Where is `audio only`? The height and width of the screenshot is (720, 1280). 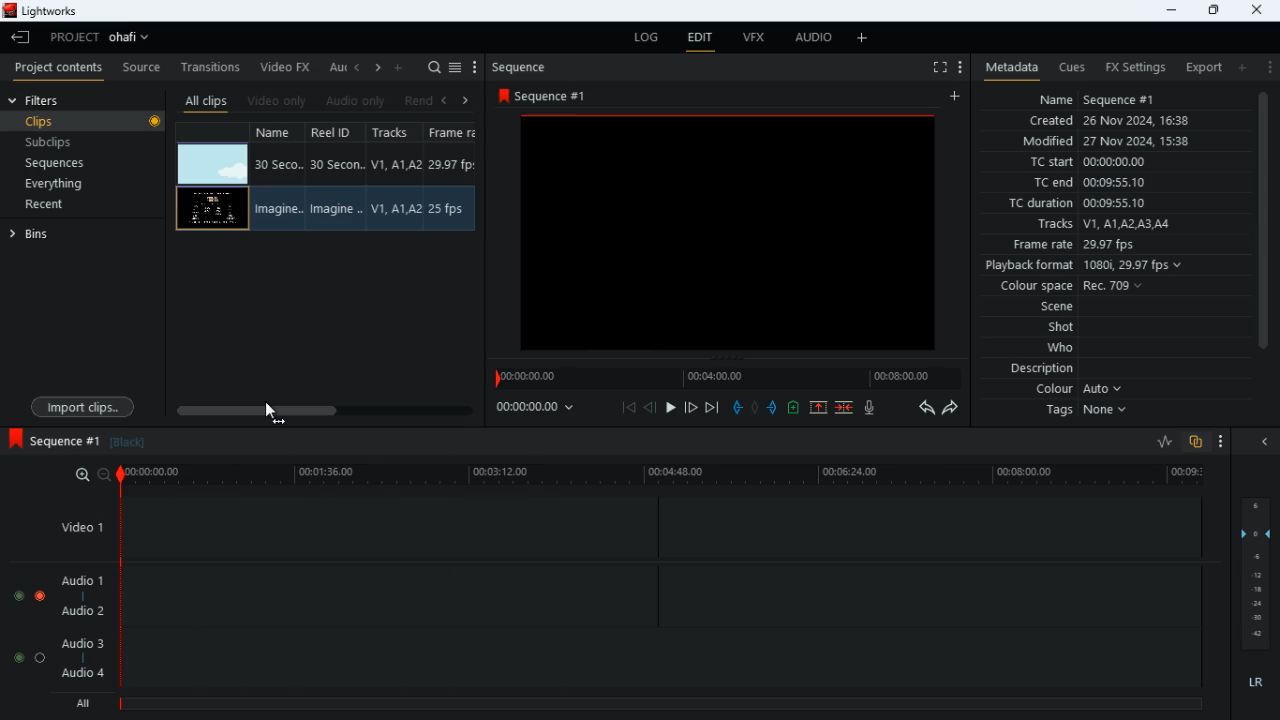
audio only is located at coordinates (358, 99).